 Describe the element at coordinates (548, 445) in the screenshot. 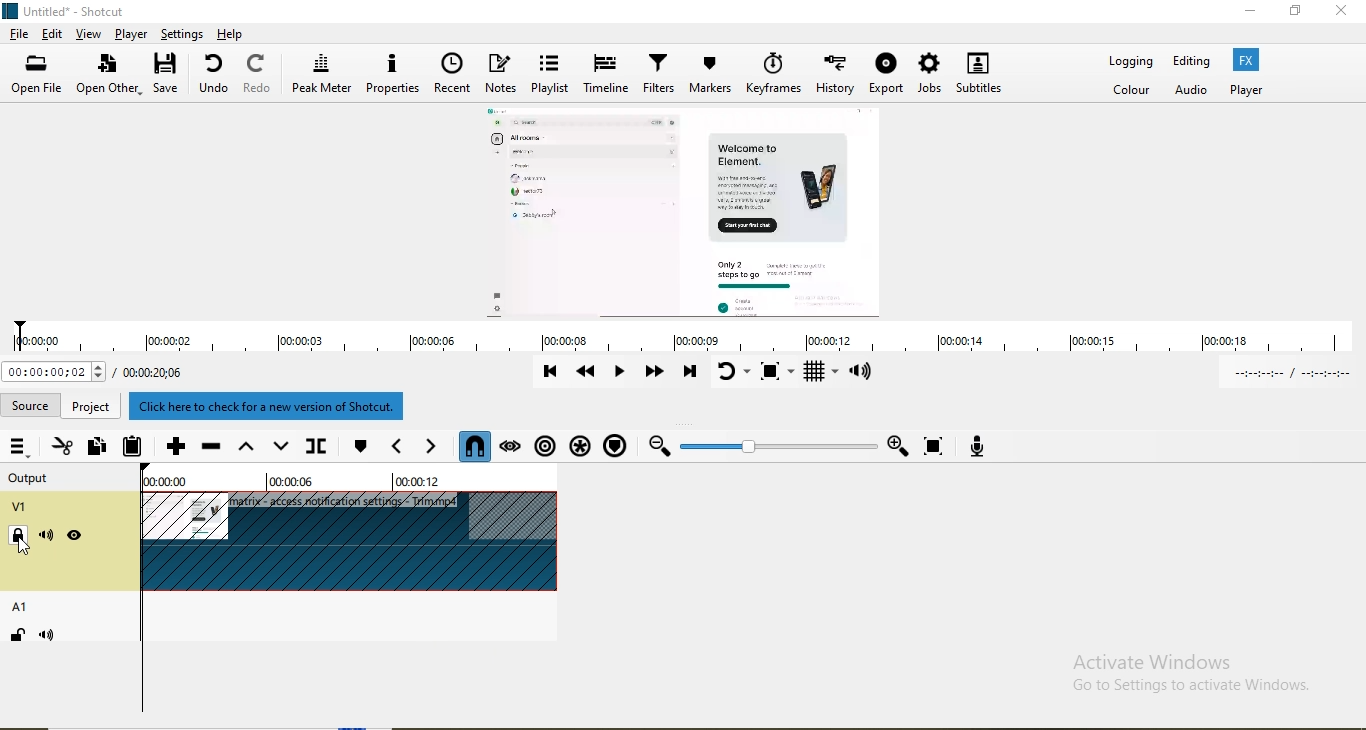

I see `Ripple` at that location.